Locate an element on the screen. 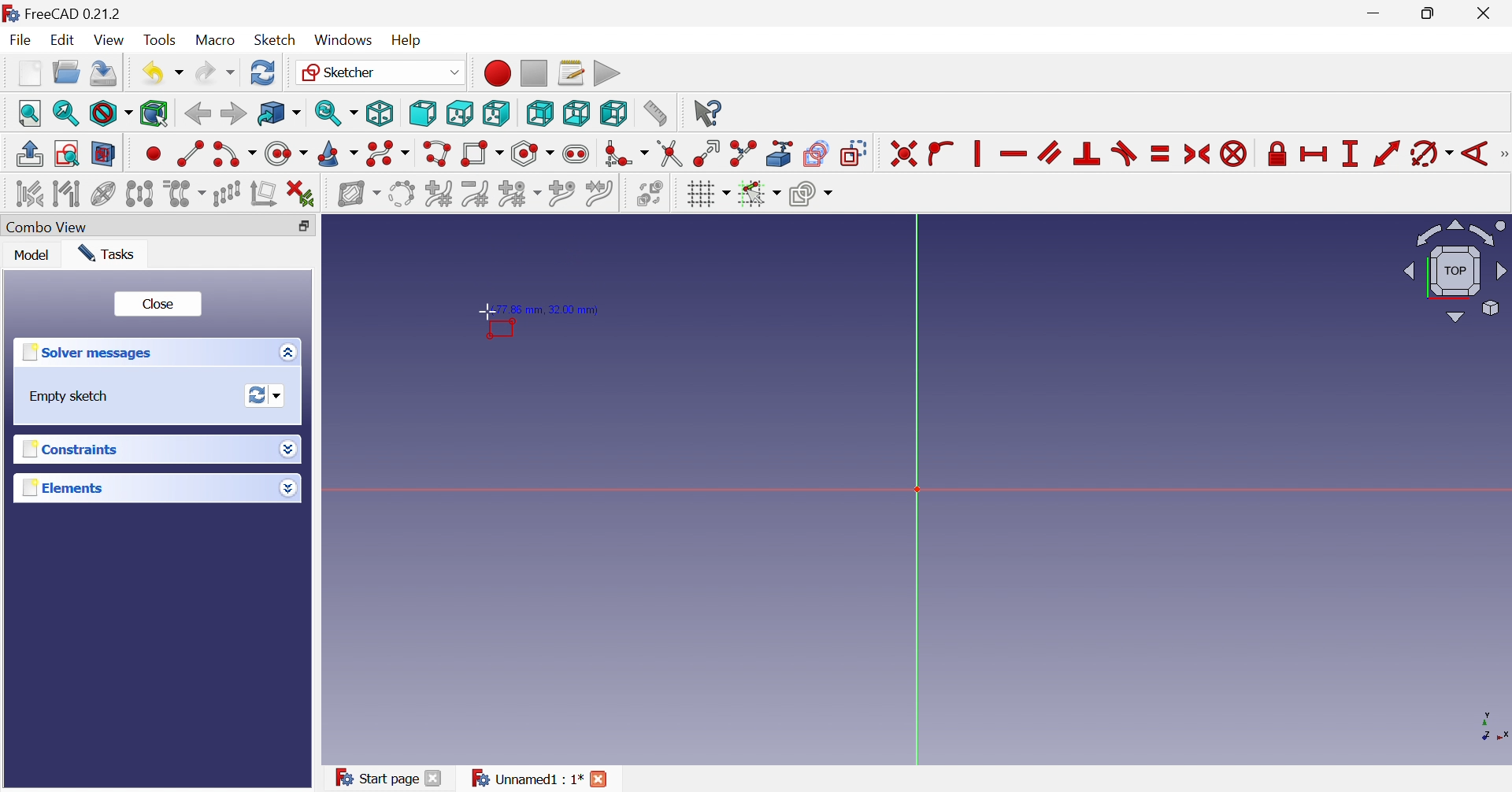  Bounding box is located at coordinates (154, 114).